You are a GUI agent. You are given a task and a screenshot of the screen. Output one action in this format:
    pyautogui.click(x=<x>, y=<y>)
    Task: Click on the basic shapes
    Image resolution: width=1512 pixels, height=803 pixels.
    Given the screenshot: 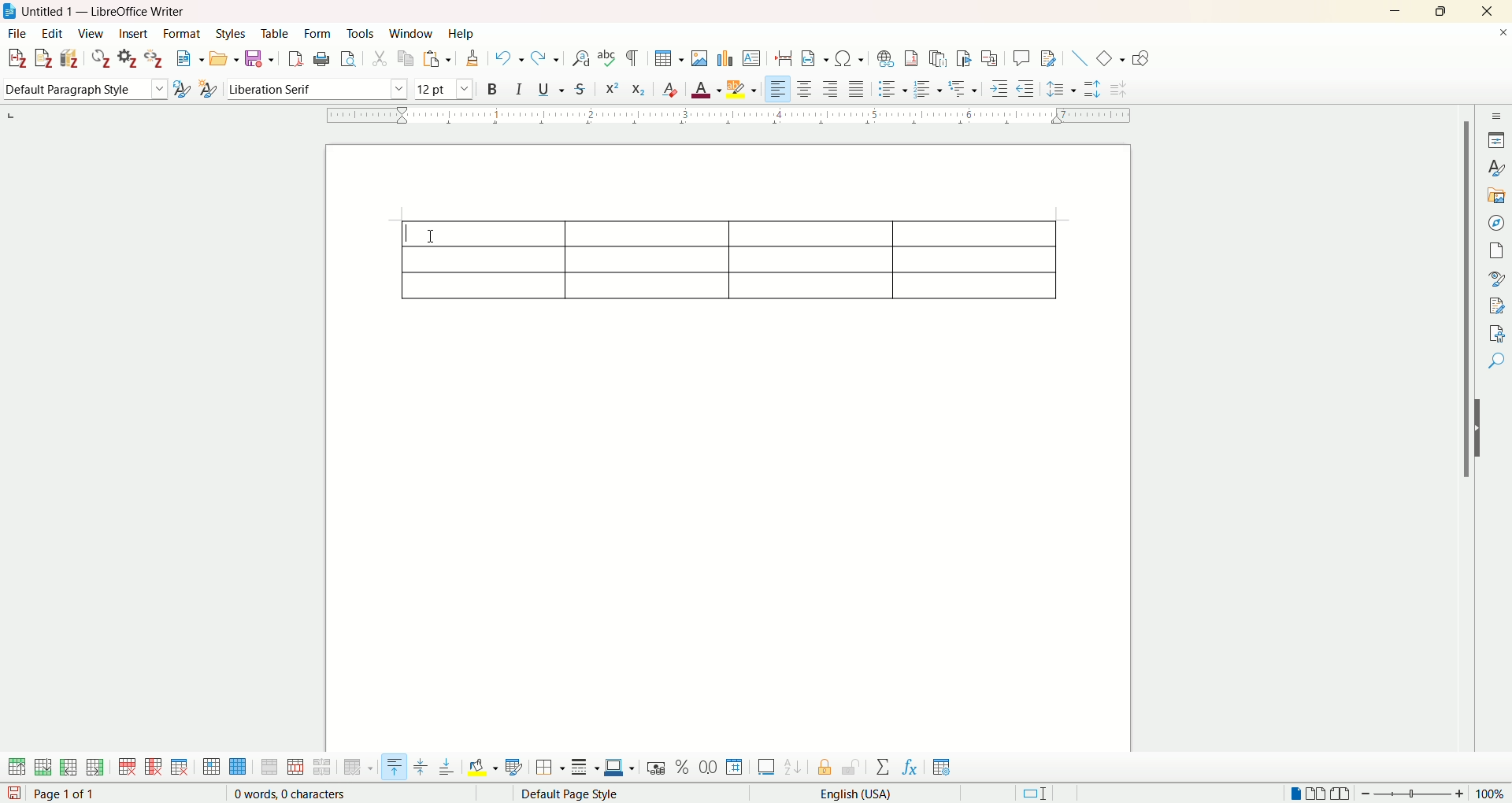 What is the action you would take?
    pyautogui.click(x=1112, y=58)
    